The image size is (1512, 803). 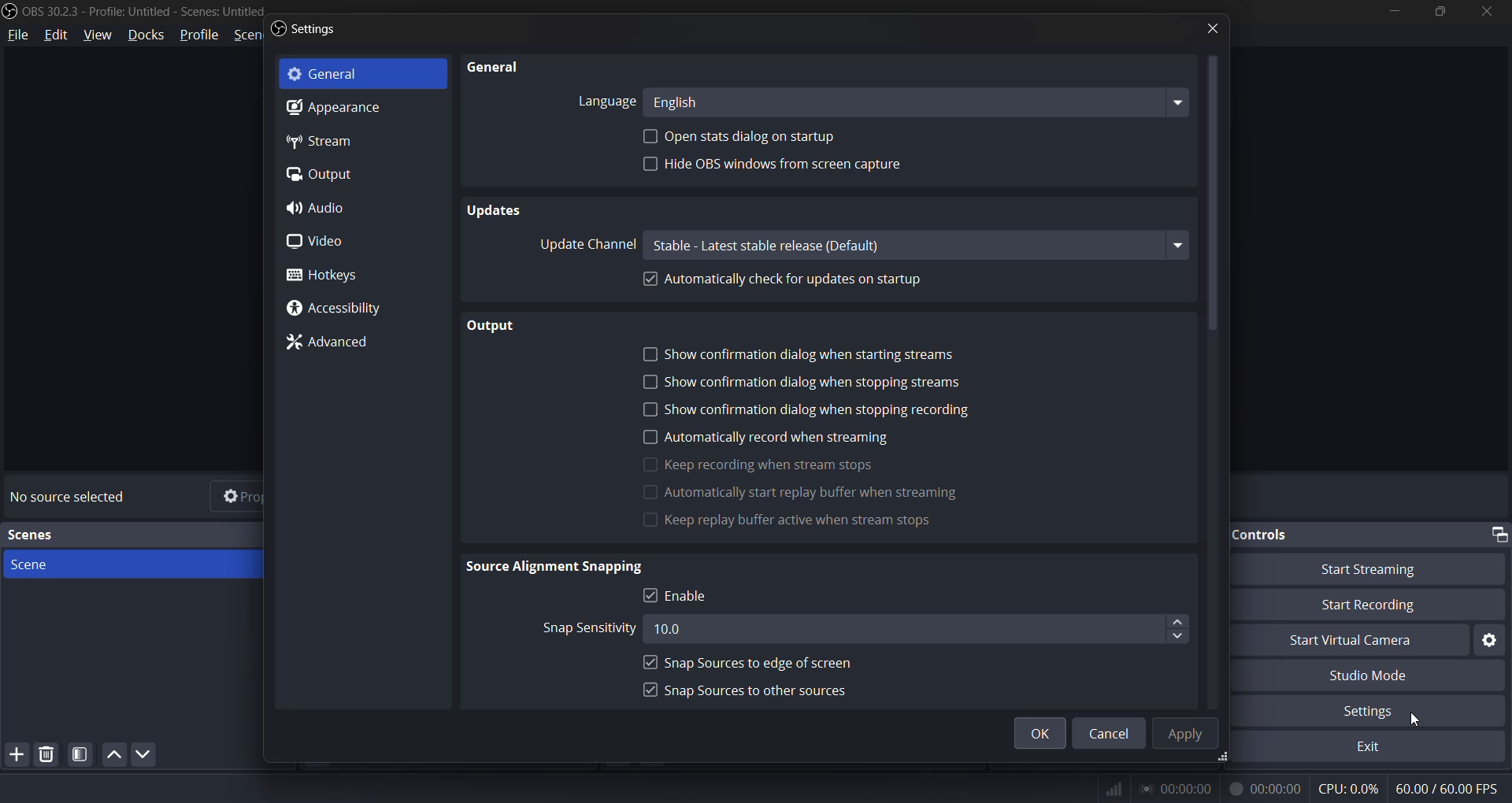 What do you see at coordinates (60, 35) in the screenshot?
I see `edit` at bounding box center [60, 35].